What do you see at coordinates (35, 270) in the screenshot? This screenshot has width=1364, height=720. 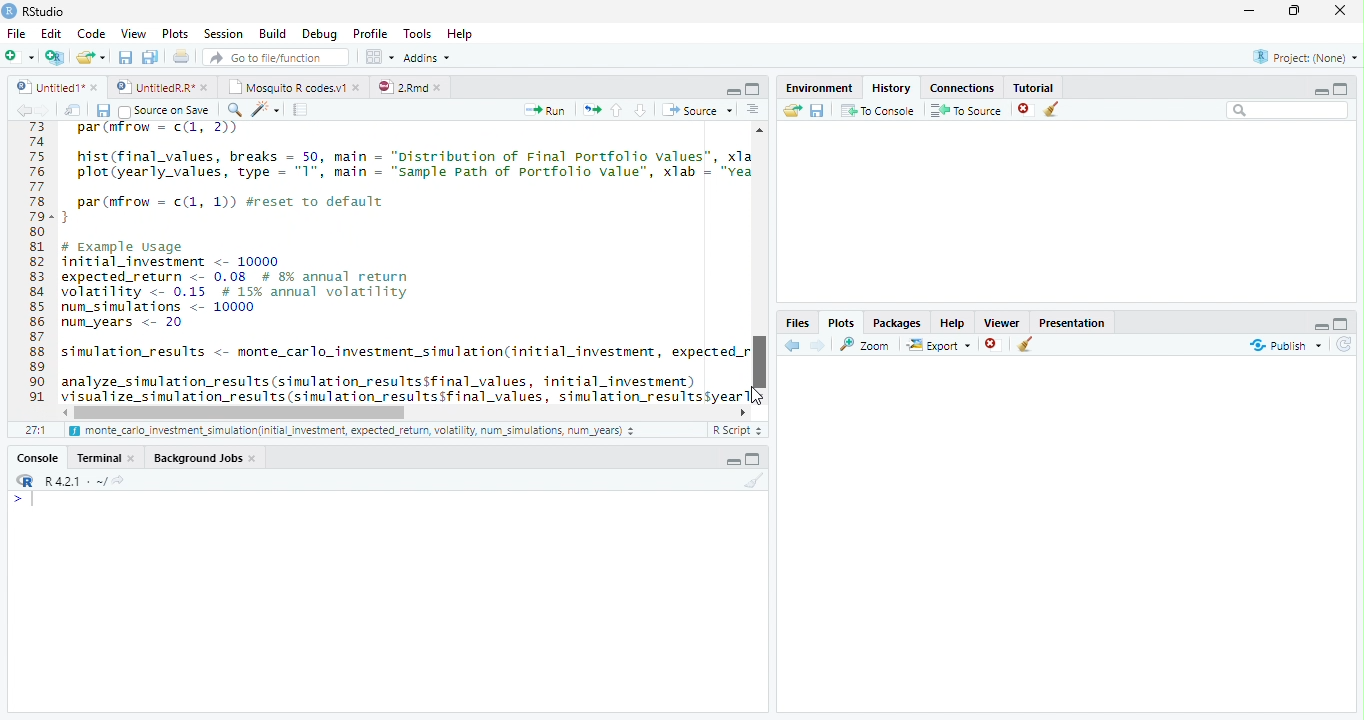 I see `Line Numbers` at bounding box center [35, 270].